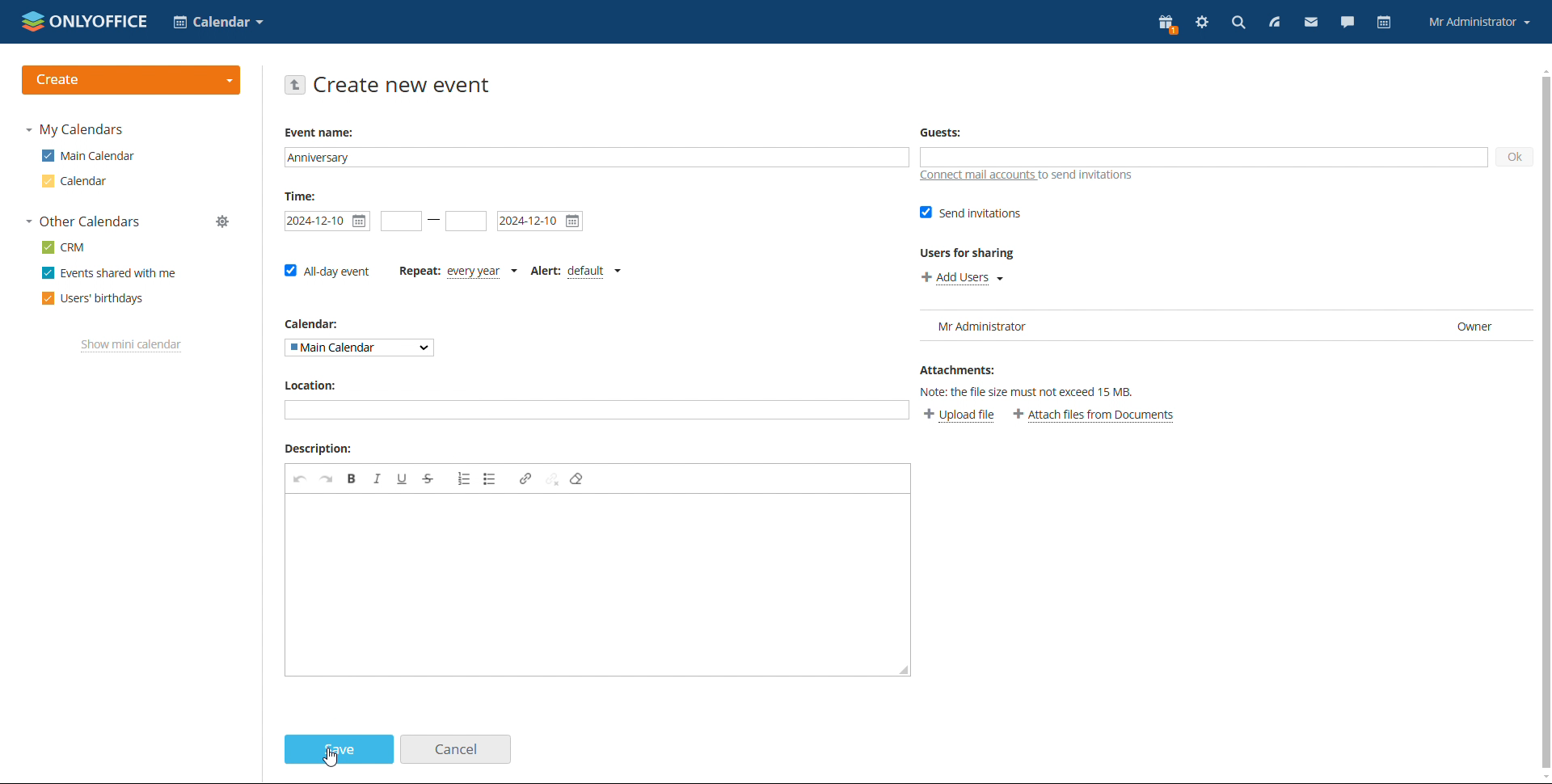  What do you see at coordinates (1542, 70) in the screenshot?
I see `scroll up` at bounding box center [1542, 70].